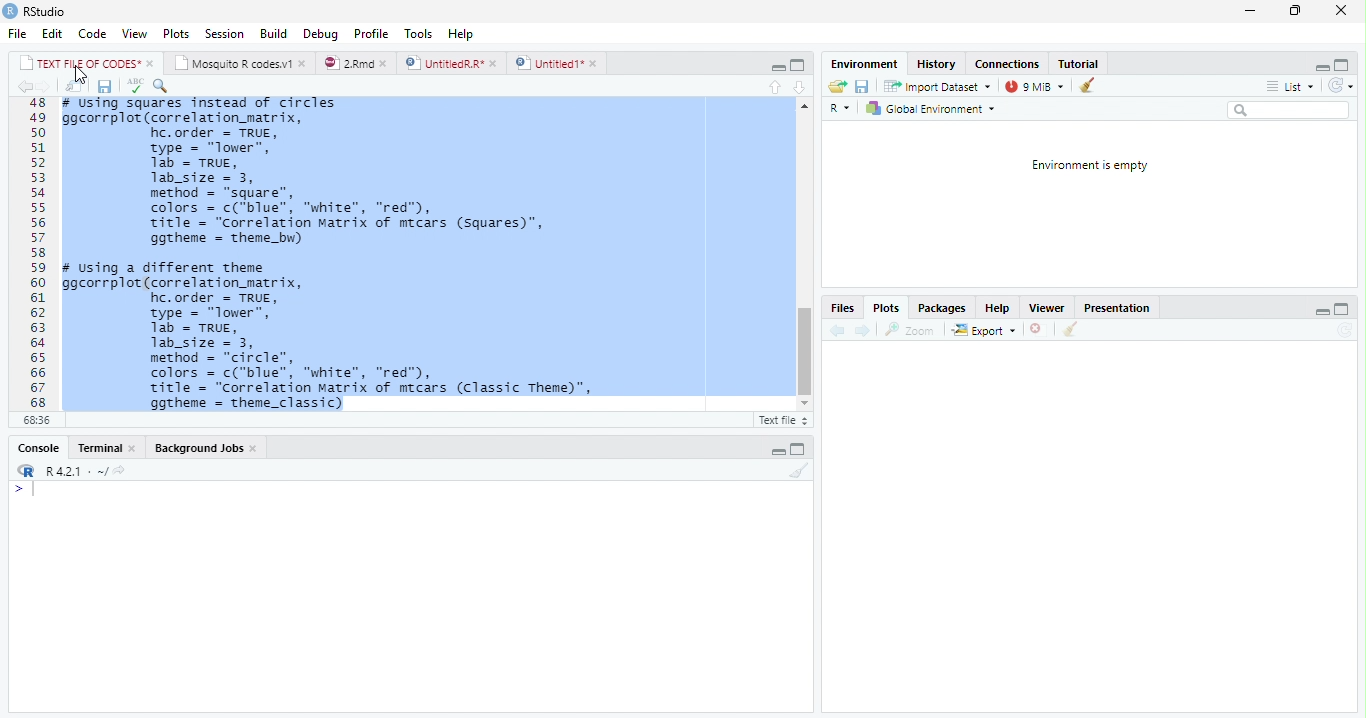 The height and width of the screenshot is (718, 1366). Describe the element at coordinates (452, 63) in the screenshot. I see ` UntitiedR` at that location.